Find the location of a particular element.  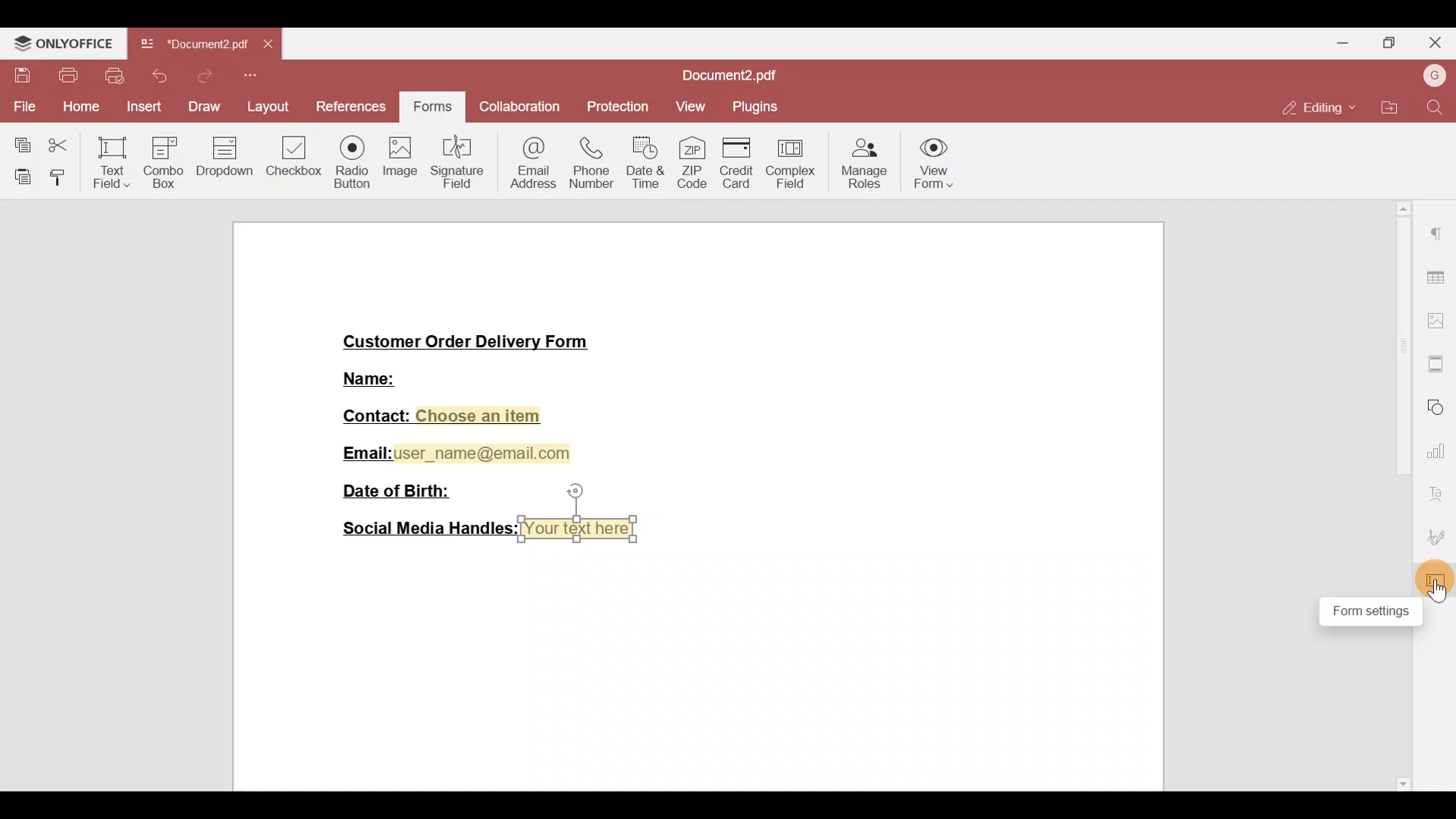

ONLYOFFICE is located at coordinates (64, 42).